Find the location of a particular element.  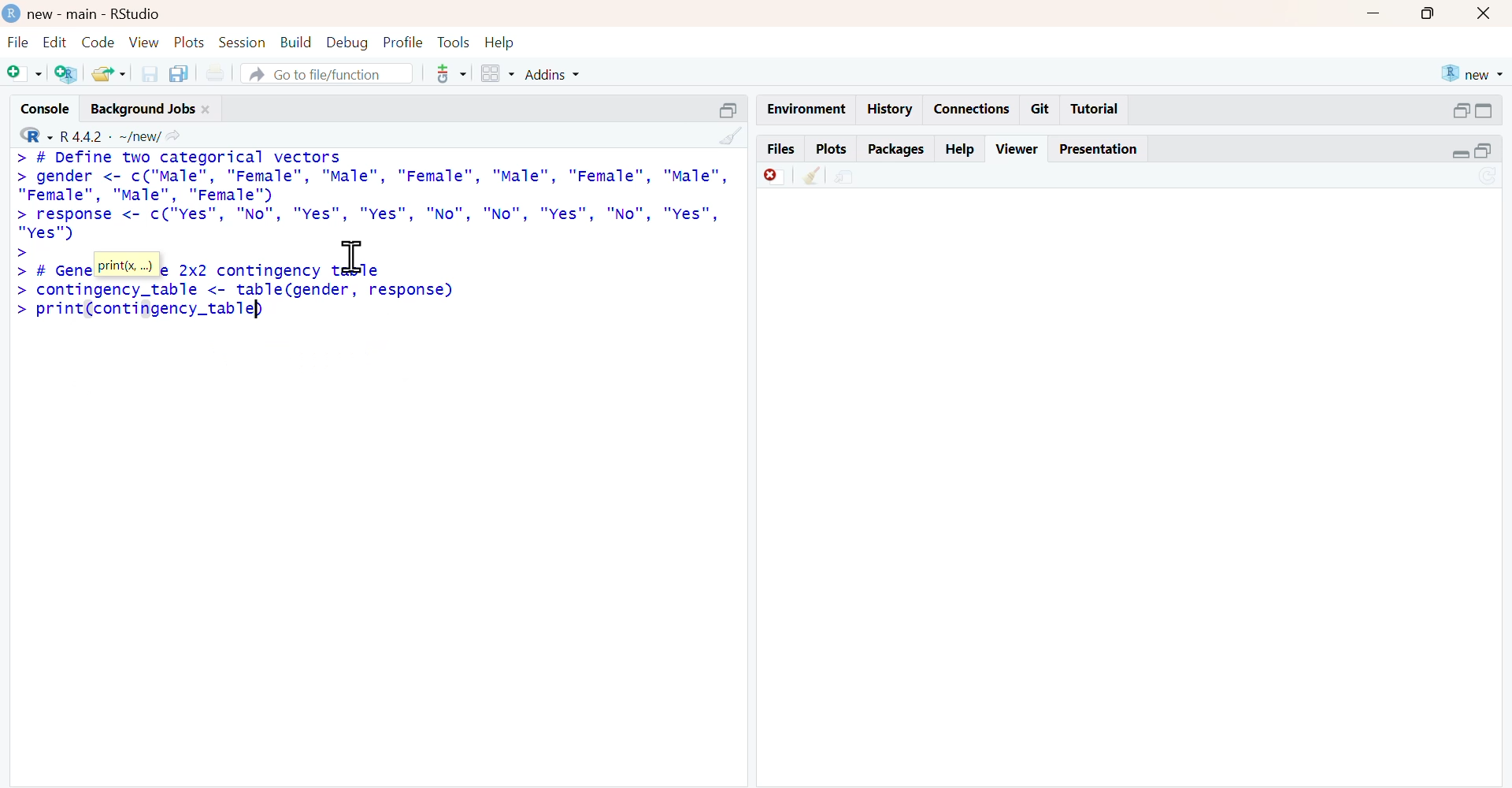

debug is located at coordinates (347, 43).